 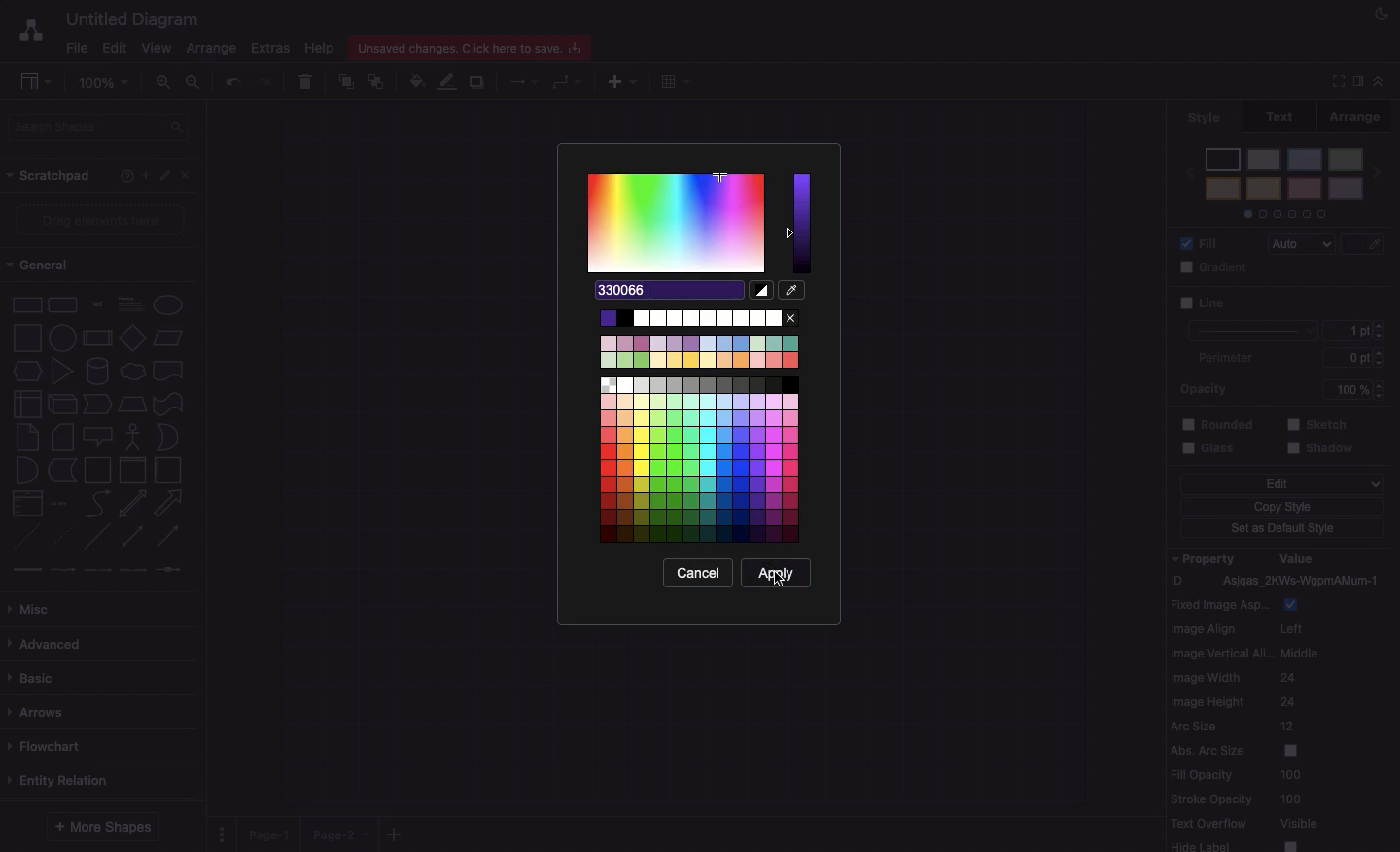 I want to click on internal storage, so click(x=25, y=403).